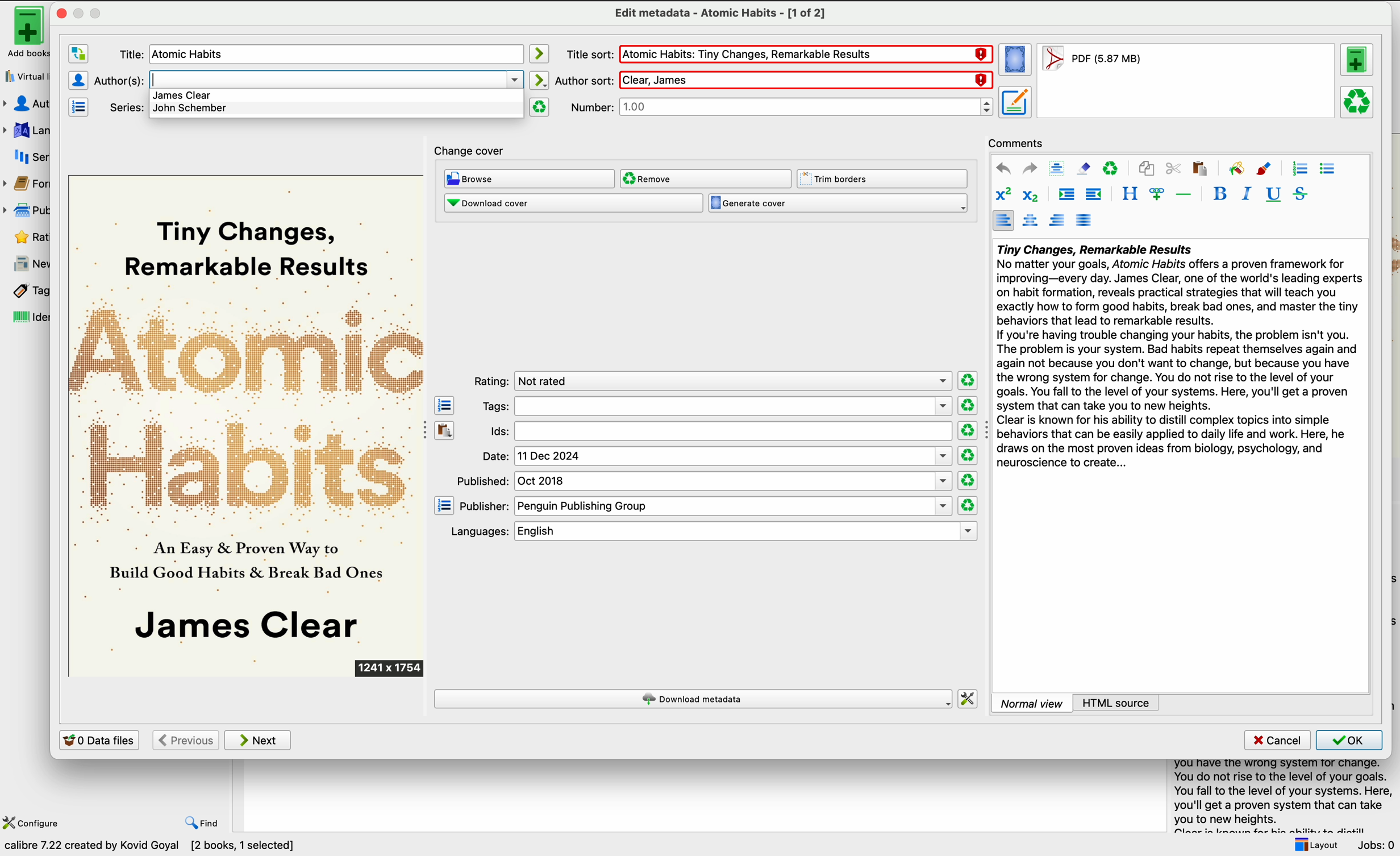  I want to click on ordered list, so click(1299, 169).